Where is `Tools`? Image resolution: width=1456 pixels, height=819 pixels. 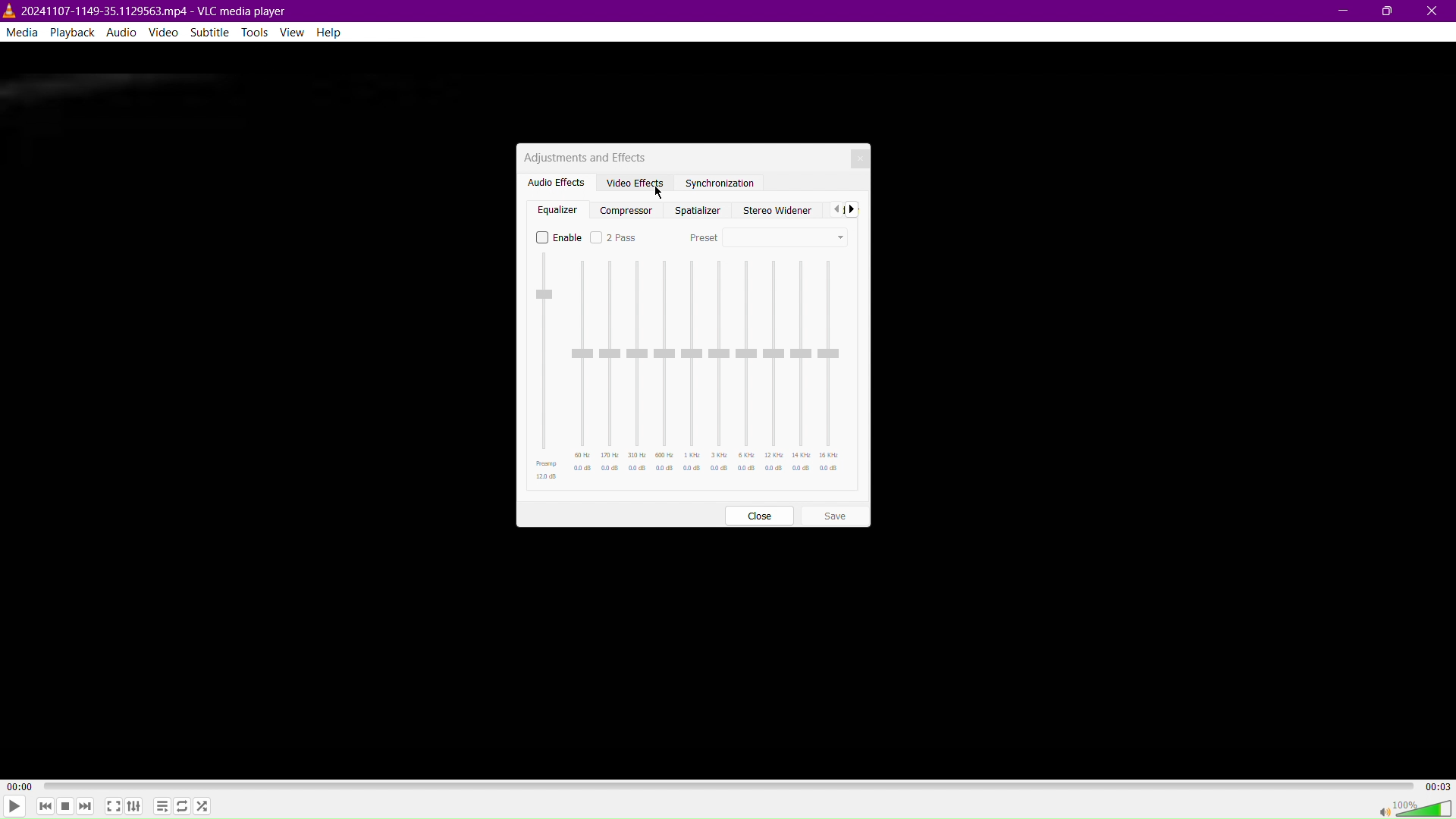 Tools is located at coordinates (256, 33).